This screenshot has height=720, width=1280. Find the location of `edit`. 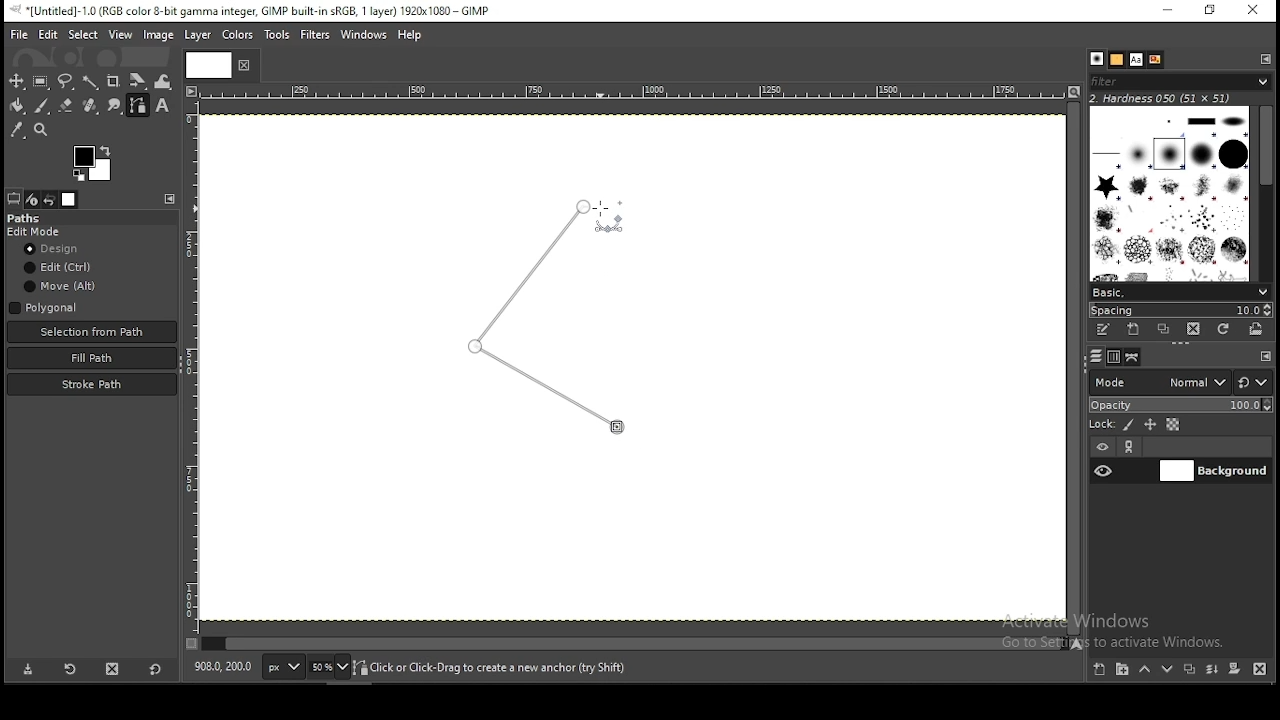

edit is located at coordinates (47, 35).